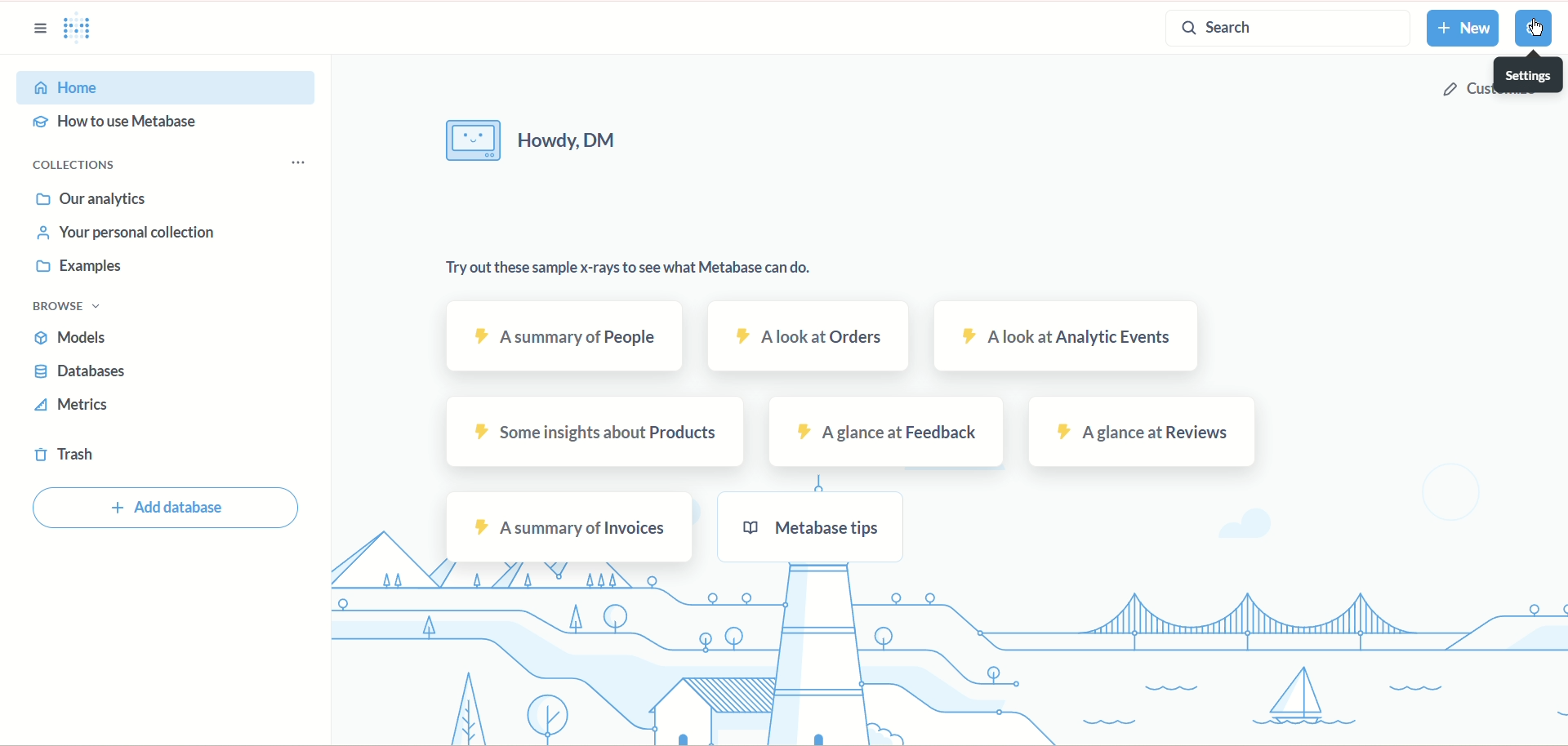 Image resolution: width=1568 pixels, height=746 pixels. Describe the element at coordinates (465, 140) in the screenshot. I see `image` at that location.